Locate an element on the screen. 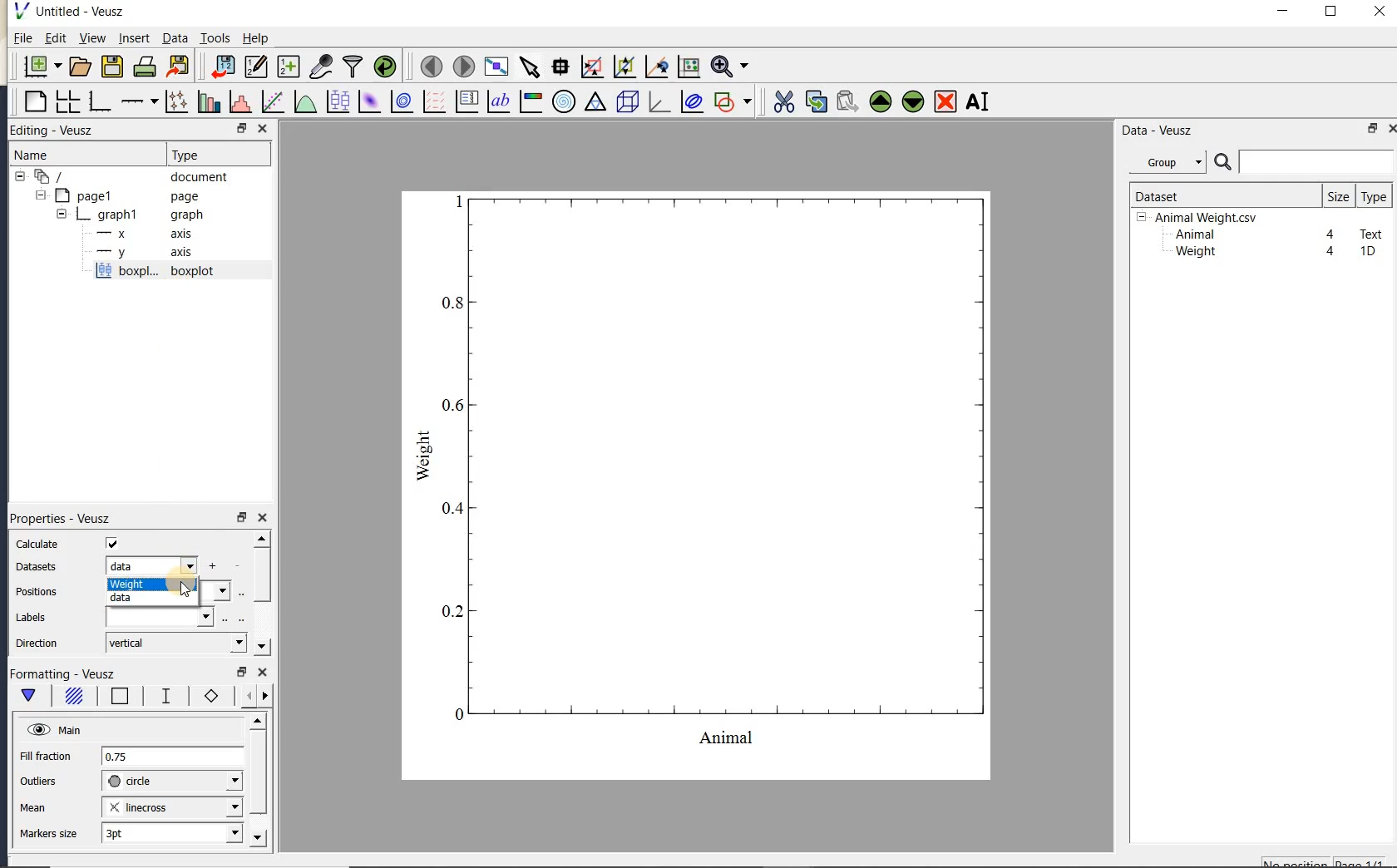 The width and height of the screenshot is (1397, 868). input field is located at coordinates (161, 618).